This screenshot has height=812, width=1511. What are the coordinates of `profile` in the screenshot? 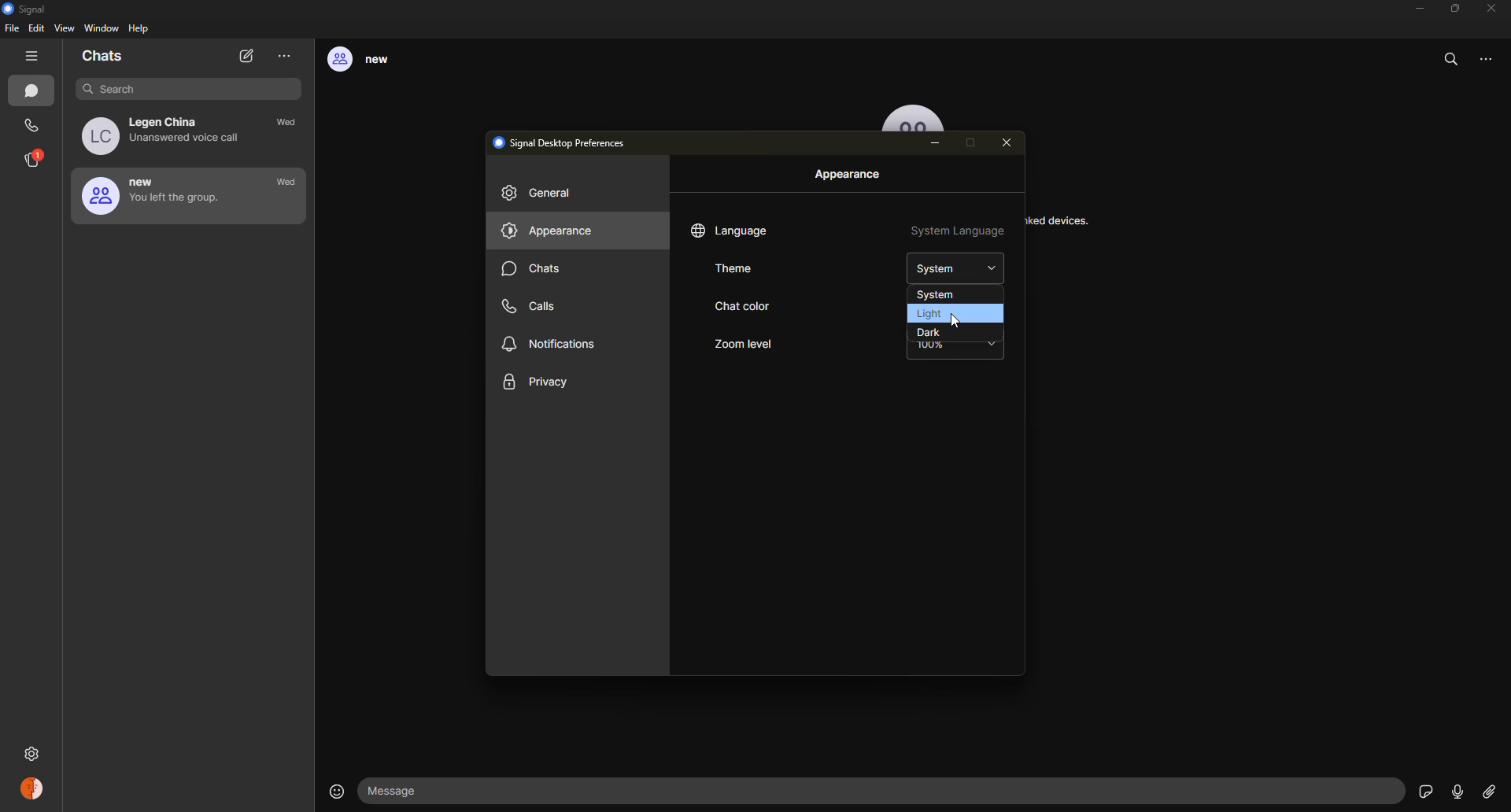 It's located at (34, 791).